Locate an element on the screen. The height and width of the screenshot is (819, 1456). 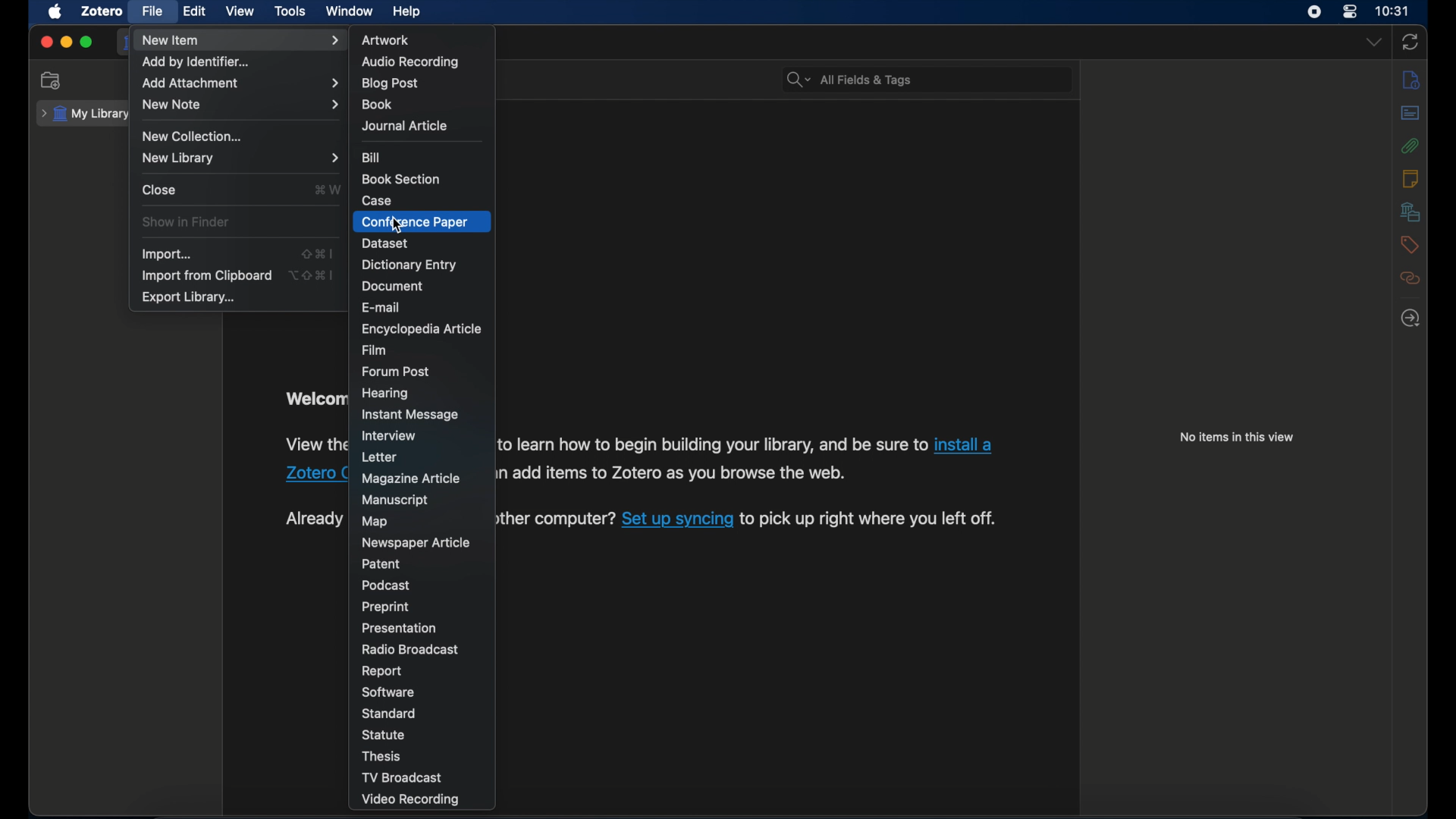
dictionary entry is located at coordinates (409, 265).